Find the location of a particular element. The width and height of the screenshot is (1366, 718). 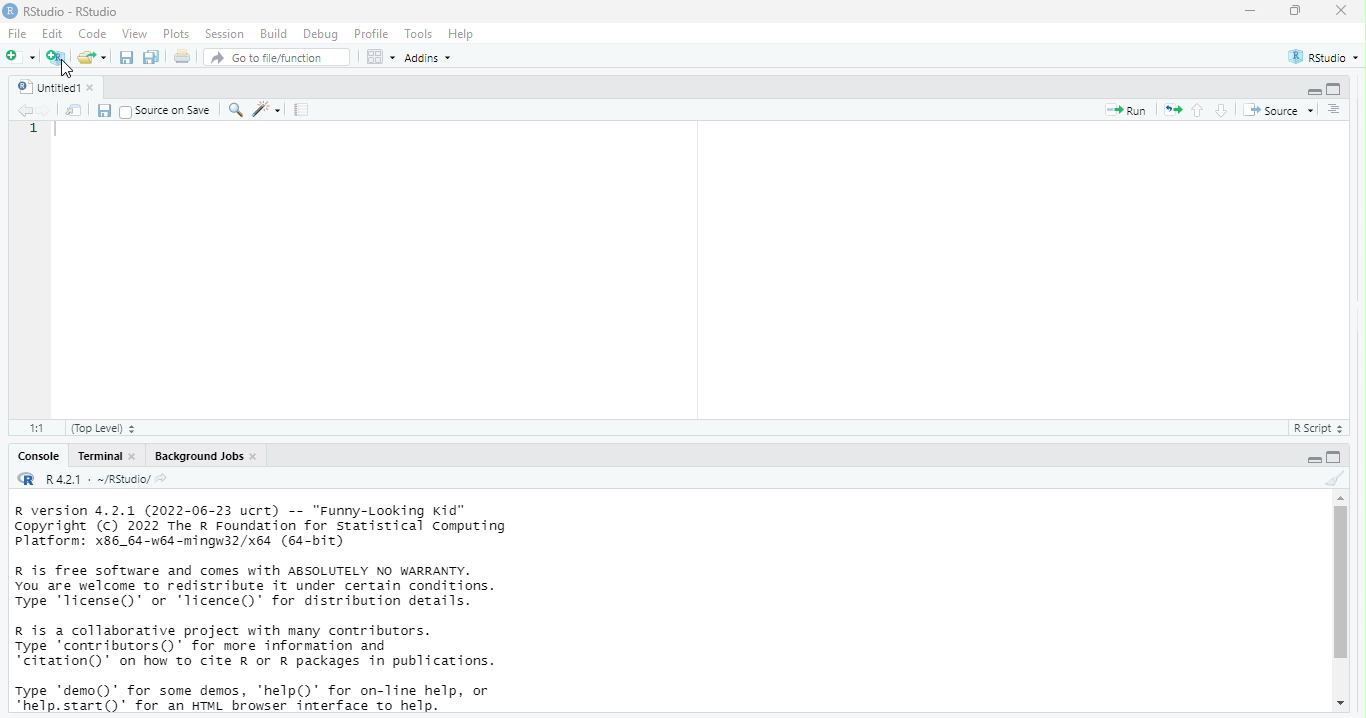

move up is located at coordinates (1342, 495).